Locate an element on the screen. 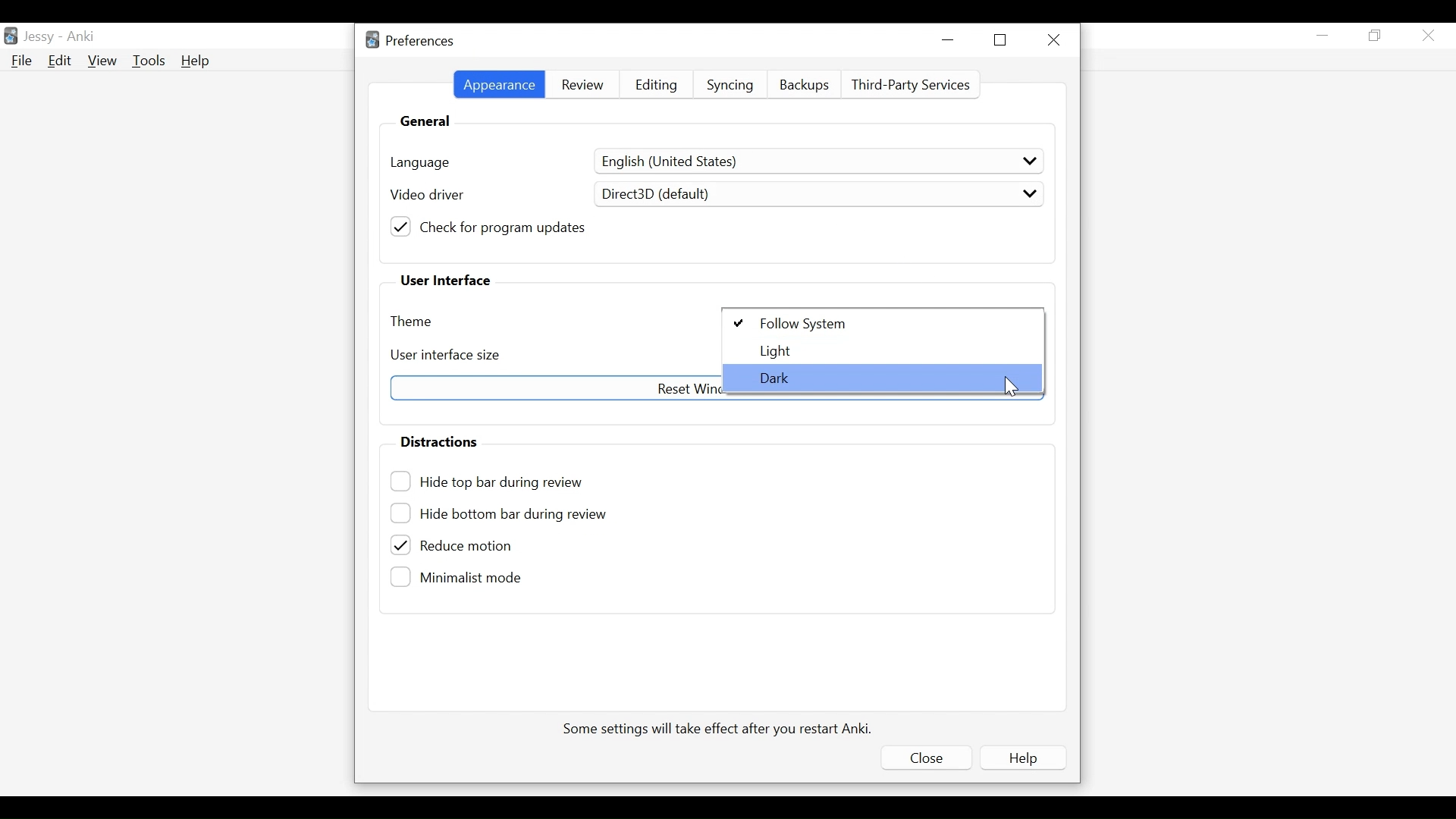 The width and height of the screenshot is (1456, 819). Follow System is located at coordinates (797, 323).